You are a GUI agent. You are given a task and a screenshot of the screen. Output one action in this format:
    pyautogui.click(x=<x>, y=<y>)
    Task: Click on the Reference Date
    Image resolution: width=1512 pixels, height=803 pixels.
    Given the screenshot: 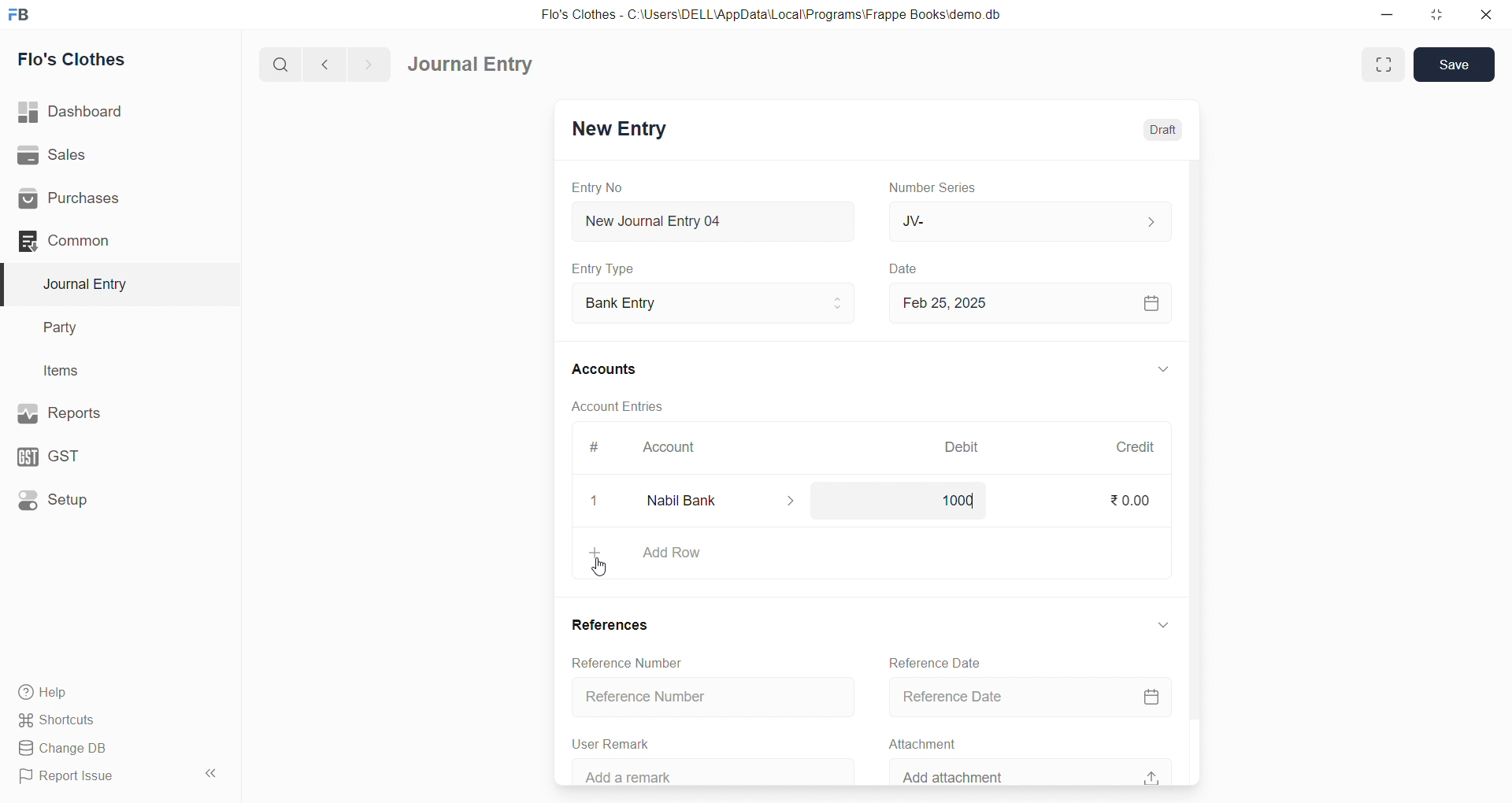 What is the action you would take?
    pyautogui.click(x=1026, y=698)
    